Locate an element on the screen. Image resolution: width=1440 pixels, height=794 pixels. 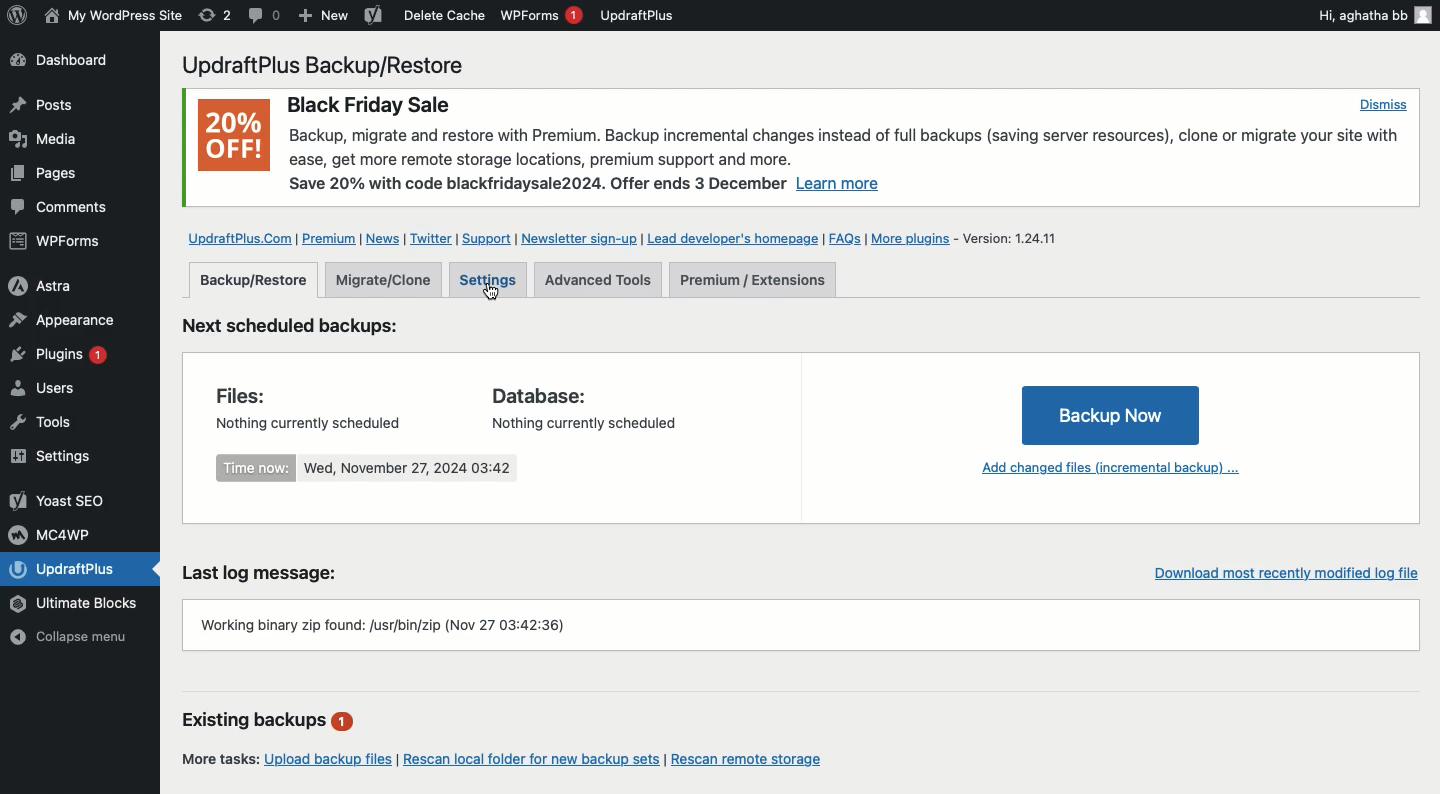
Add changed files incremental backup is located at coordinates (1120, 468).